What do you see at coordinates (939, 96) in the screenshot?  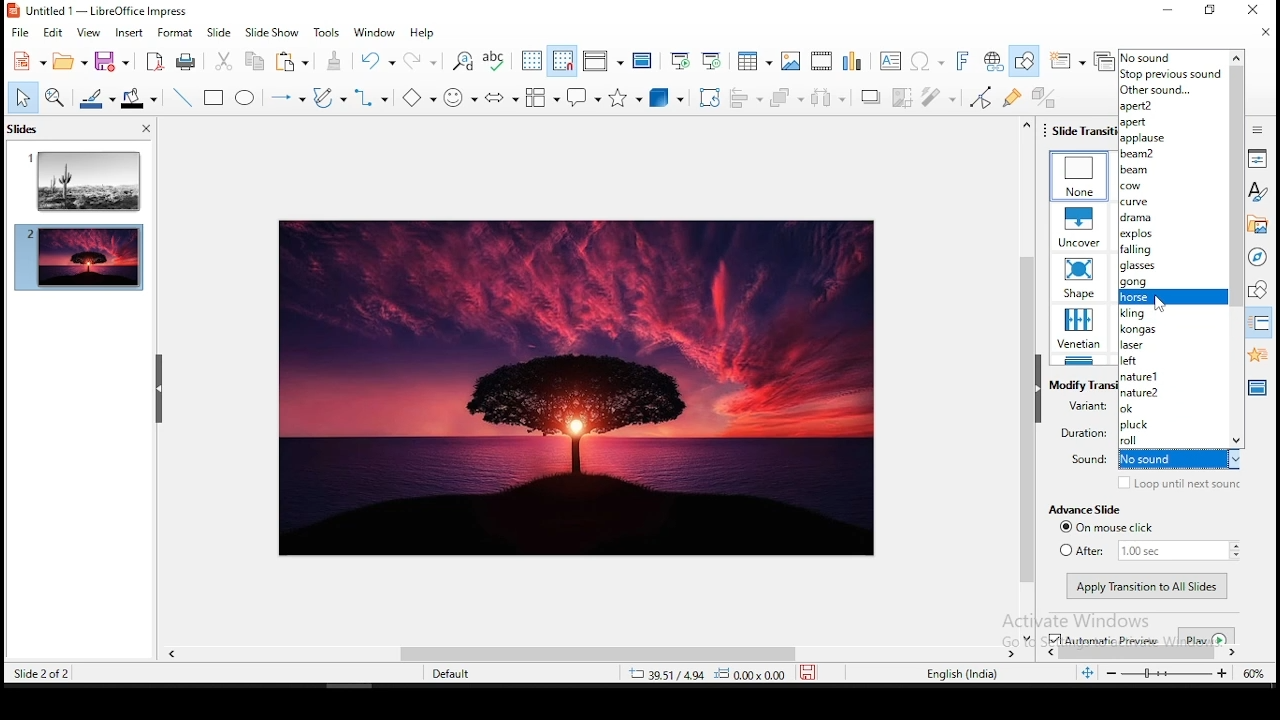 I see `filter` at bounding box center [939, 96].